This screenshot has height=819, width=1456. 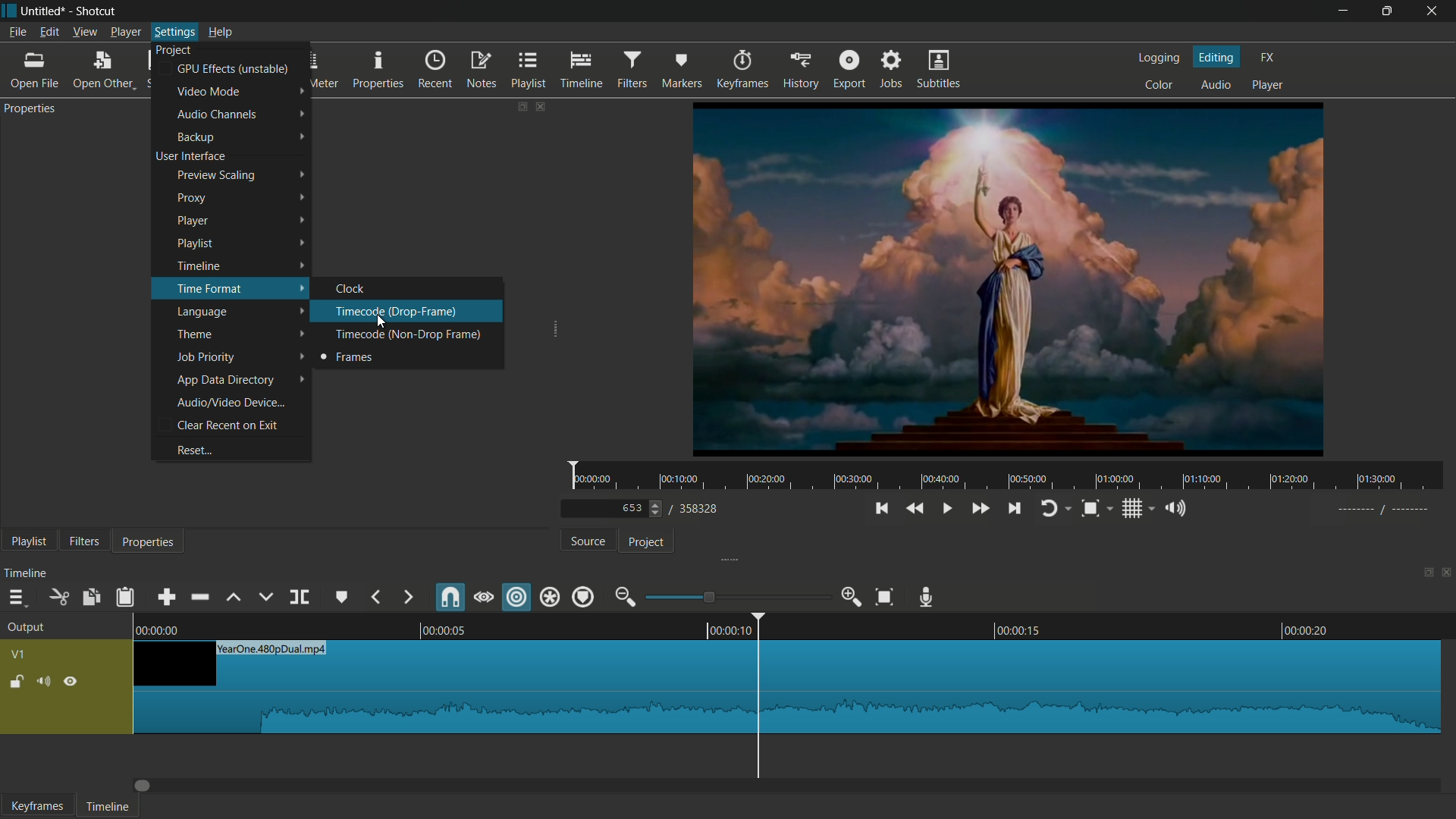 I want to click on properties, so click(x=380, y=69).